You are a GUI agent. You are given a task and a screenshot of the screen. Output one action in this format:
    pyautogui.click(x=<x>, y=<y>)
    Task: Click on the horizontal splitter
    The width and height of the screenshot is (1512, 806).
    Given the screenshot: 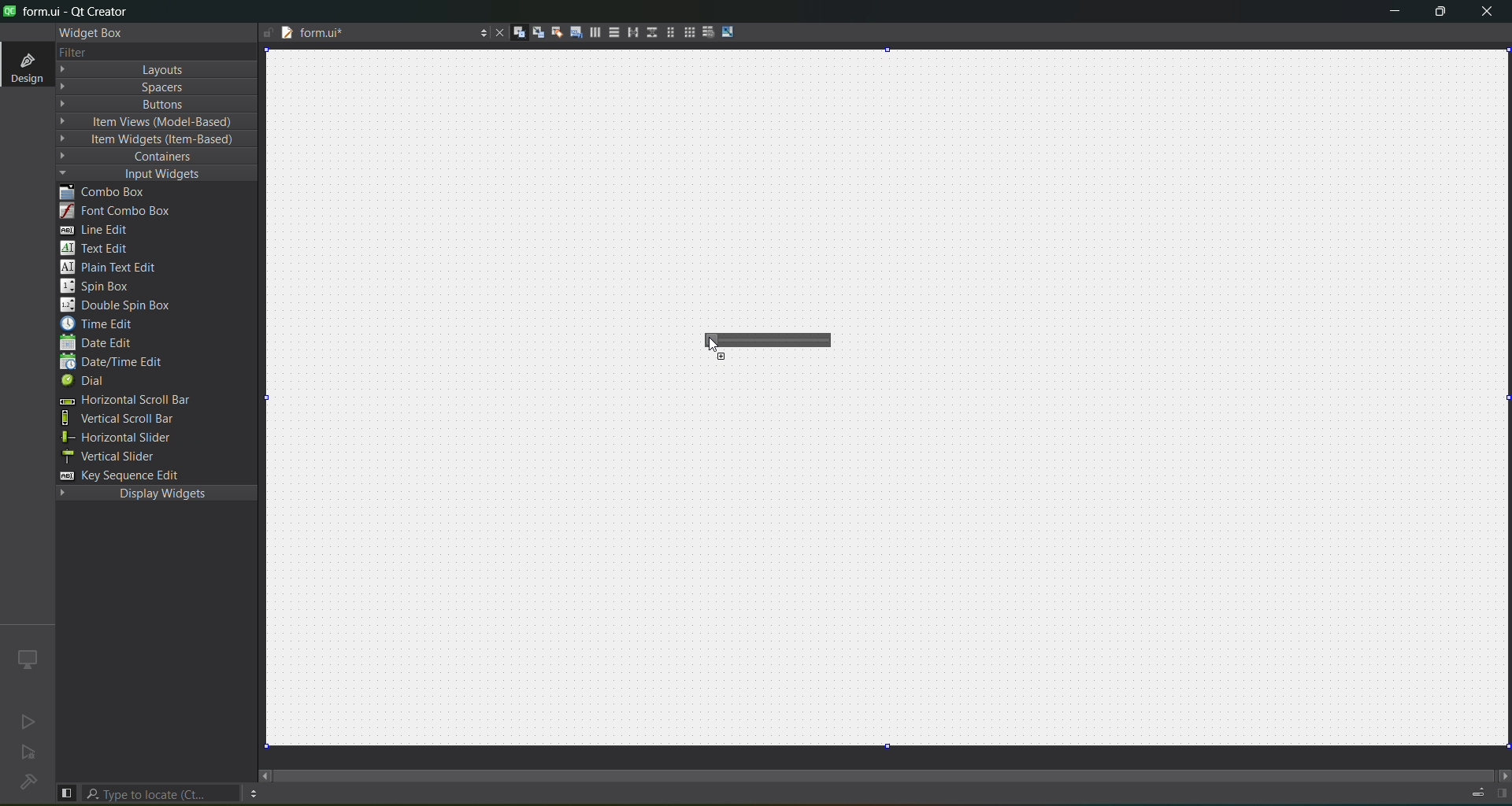 What is the action you would take?
    pyautogui.click(x=632, y=33)
    